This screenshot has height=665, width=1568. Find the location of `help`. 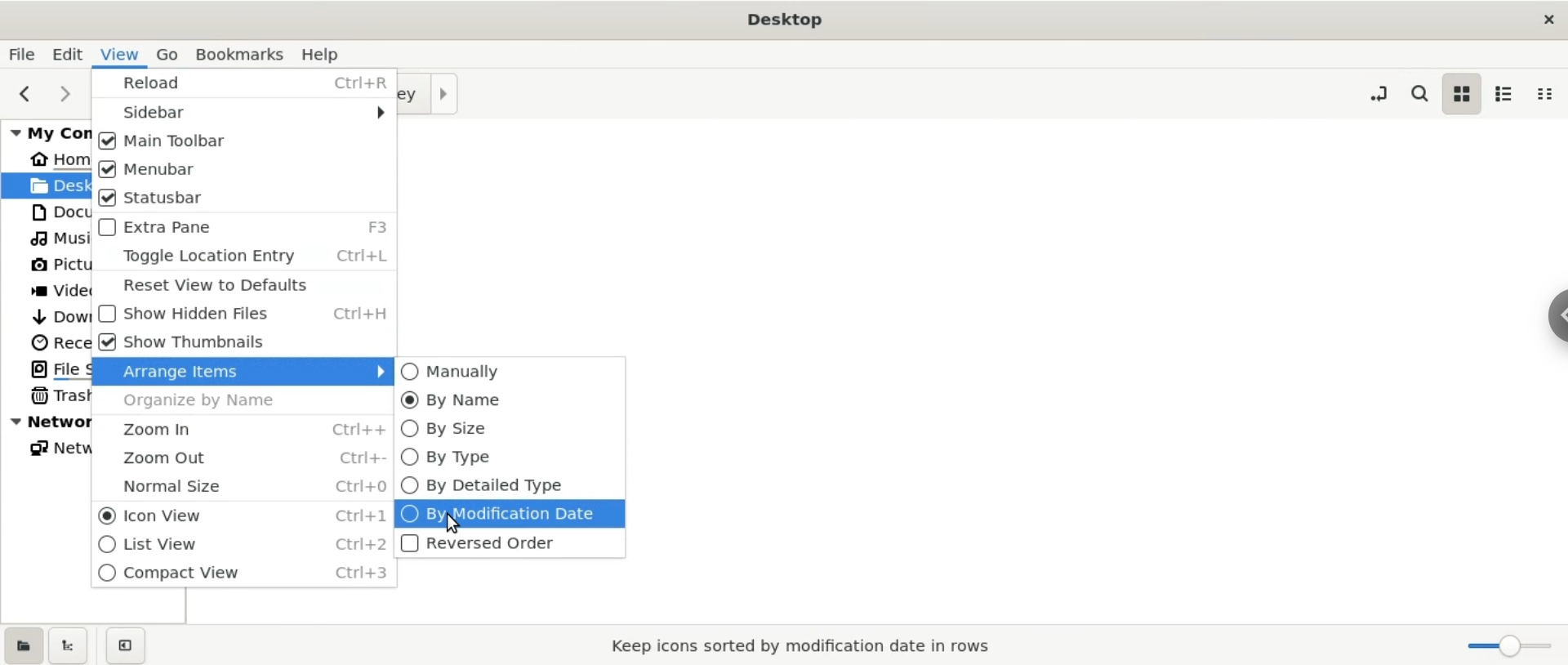

help is located at coordinates (331, 53).